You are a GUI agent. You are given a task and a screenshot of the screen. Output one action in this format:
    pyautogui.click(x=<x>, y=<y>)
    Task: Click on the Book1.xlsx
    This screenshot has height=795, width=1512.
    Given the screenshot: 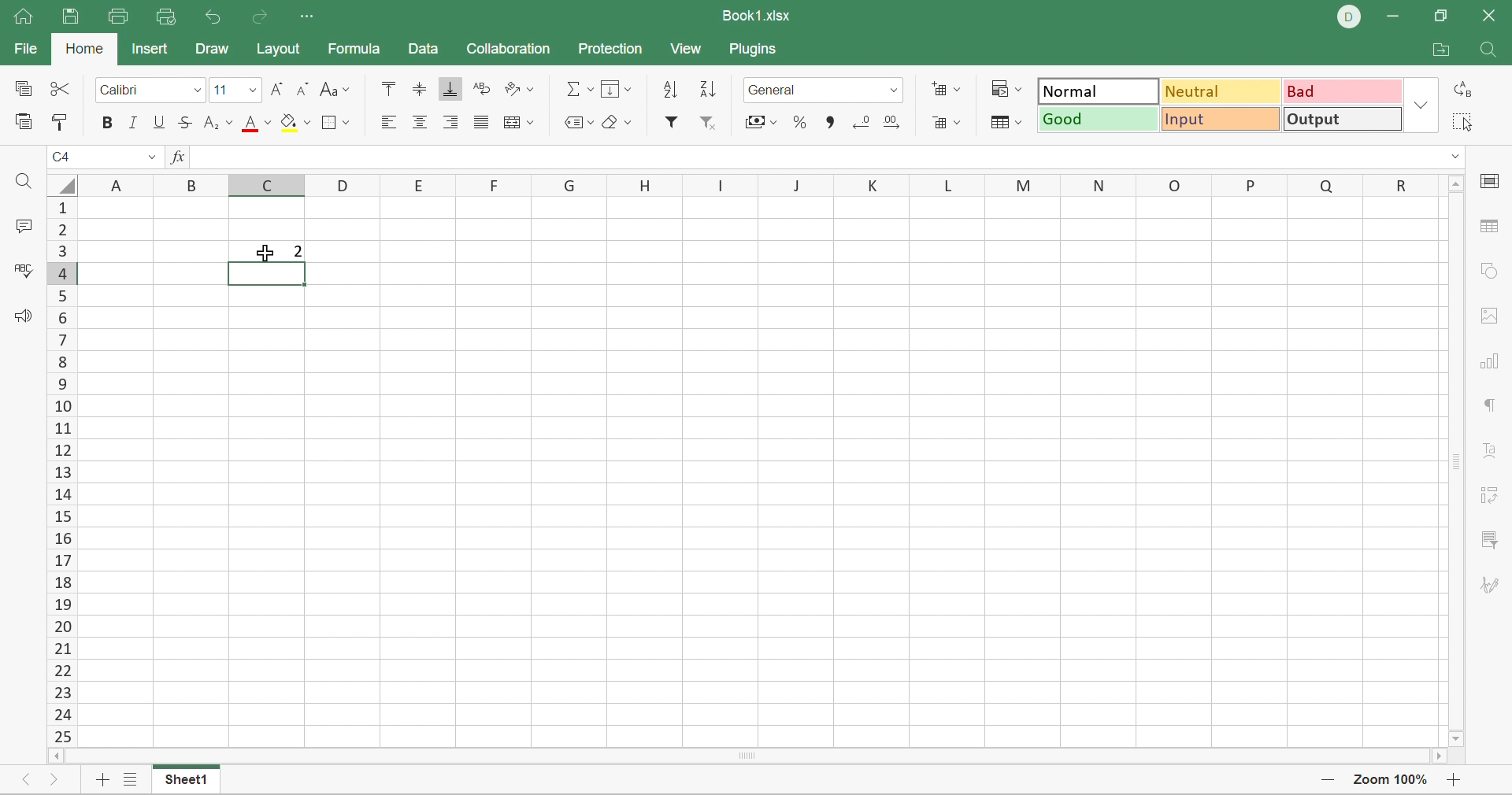 What is the action you would take?
    pyautogui.click(x=757, y=14)
    